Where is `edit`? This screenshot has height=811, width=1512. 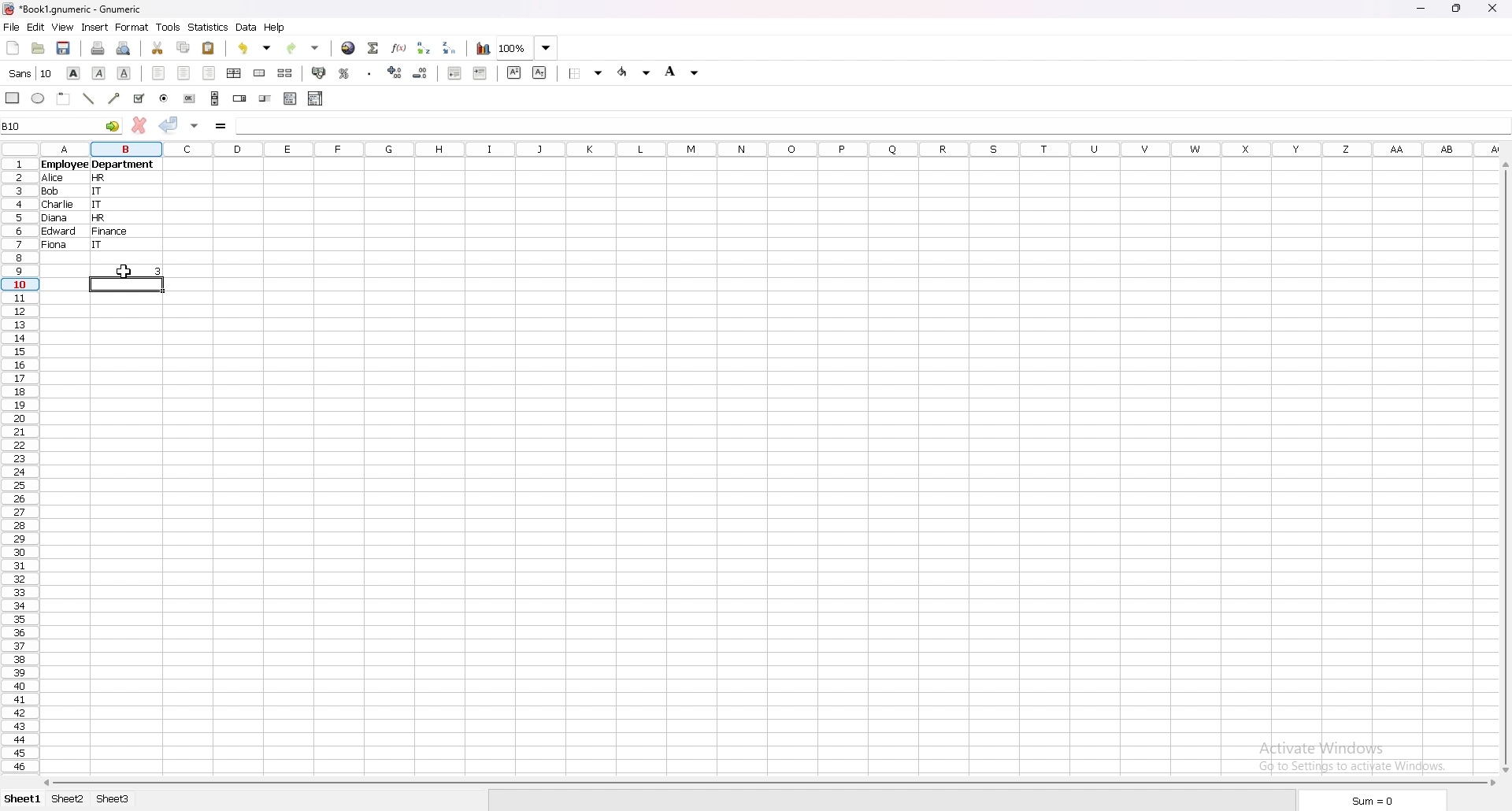
edit is located at coordinates (37, 27).